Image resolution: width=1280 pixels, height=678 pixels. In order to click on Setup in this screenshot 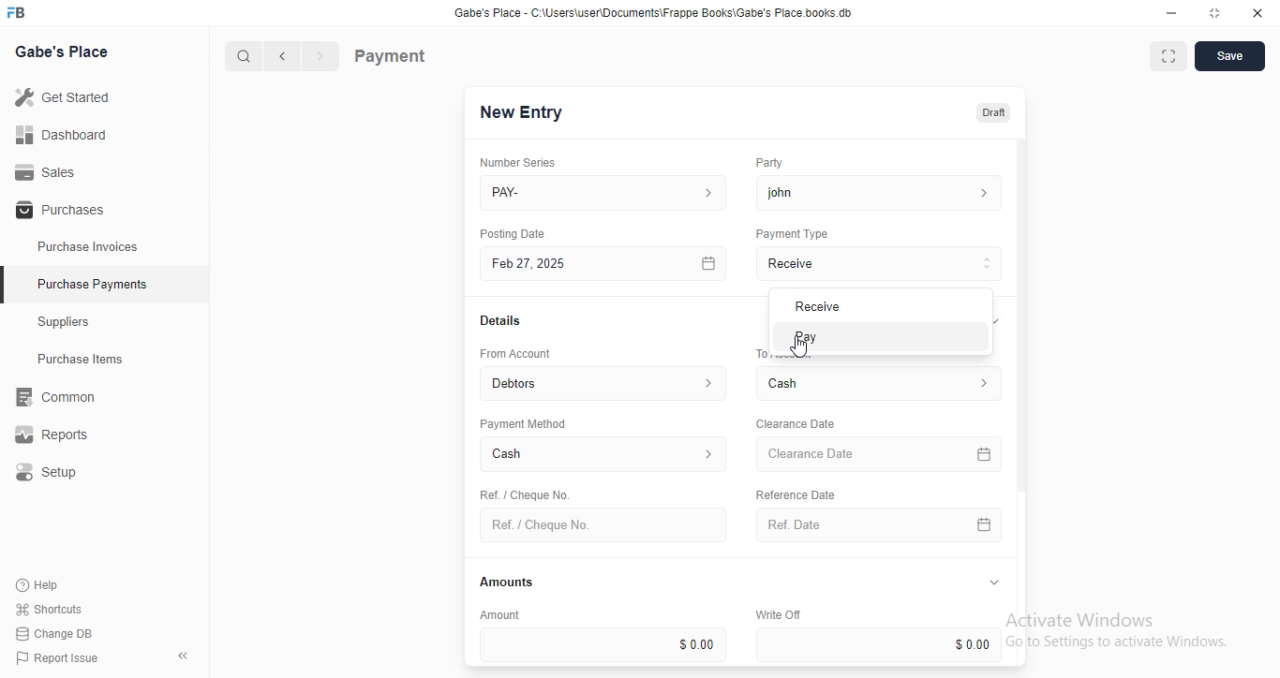, I will do `click(61, 473)`.